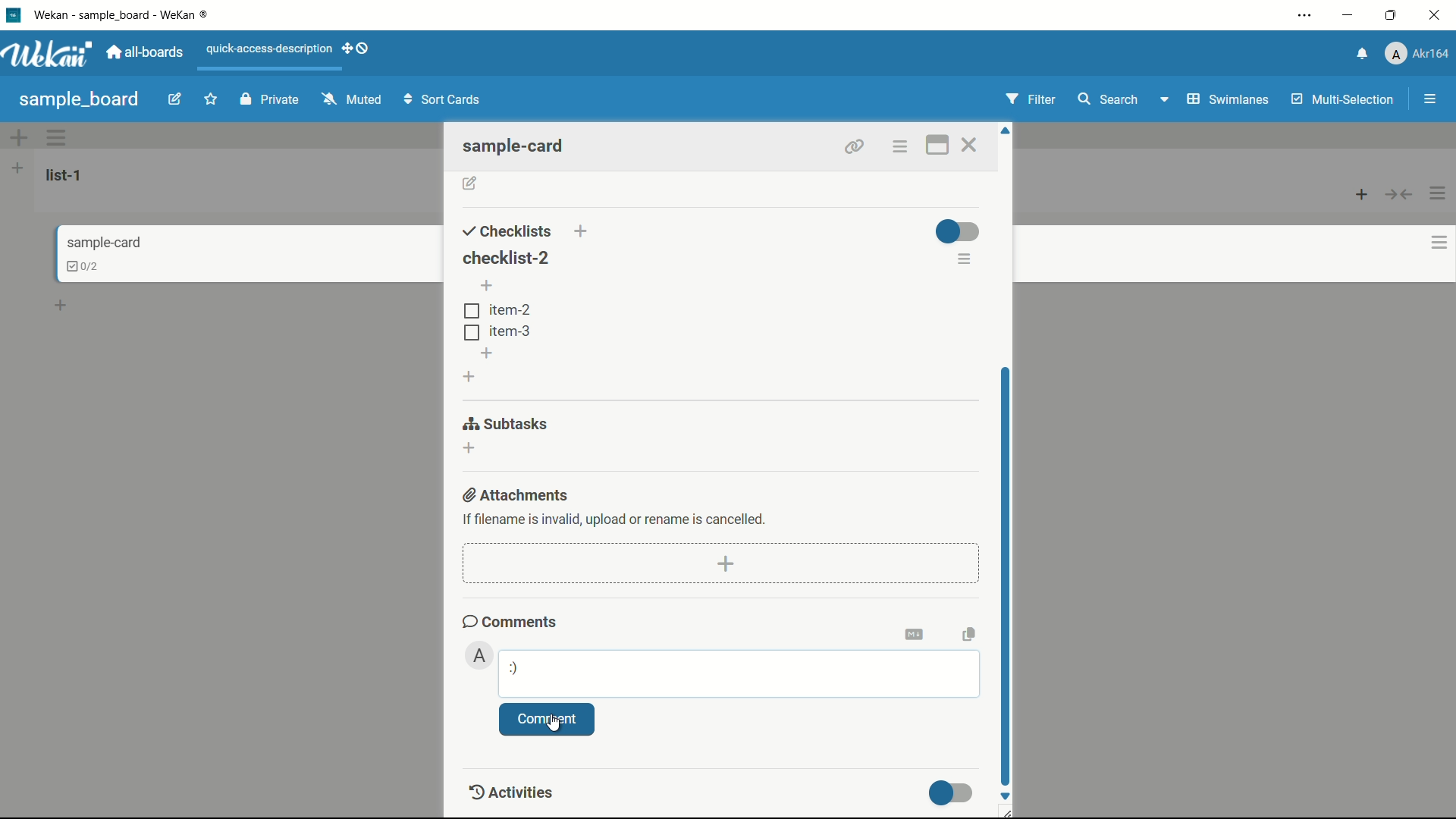  I want to click on toggle button, so click(952, 792).